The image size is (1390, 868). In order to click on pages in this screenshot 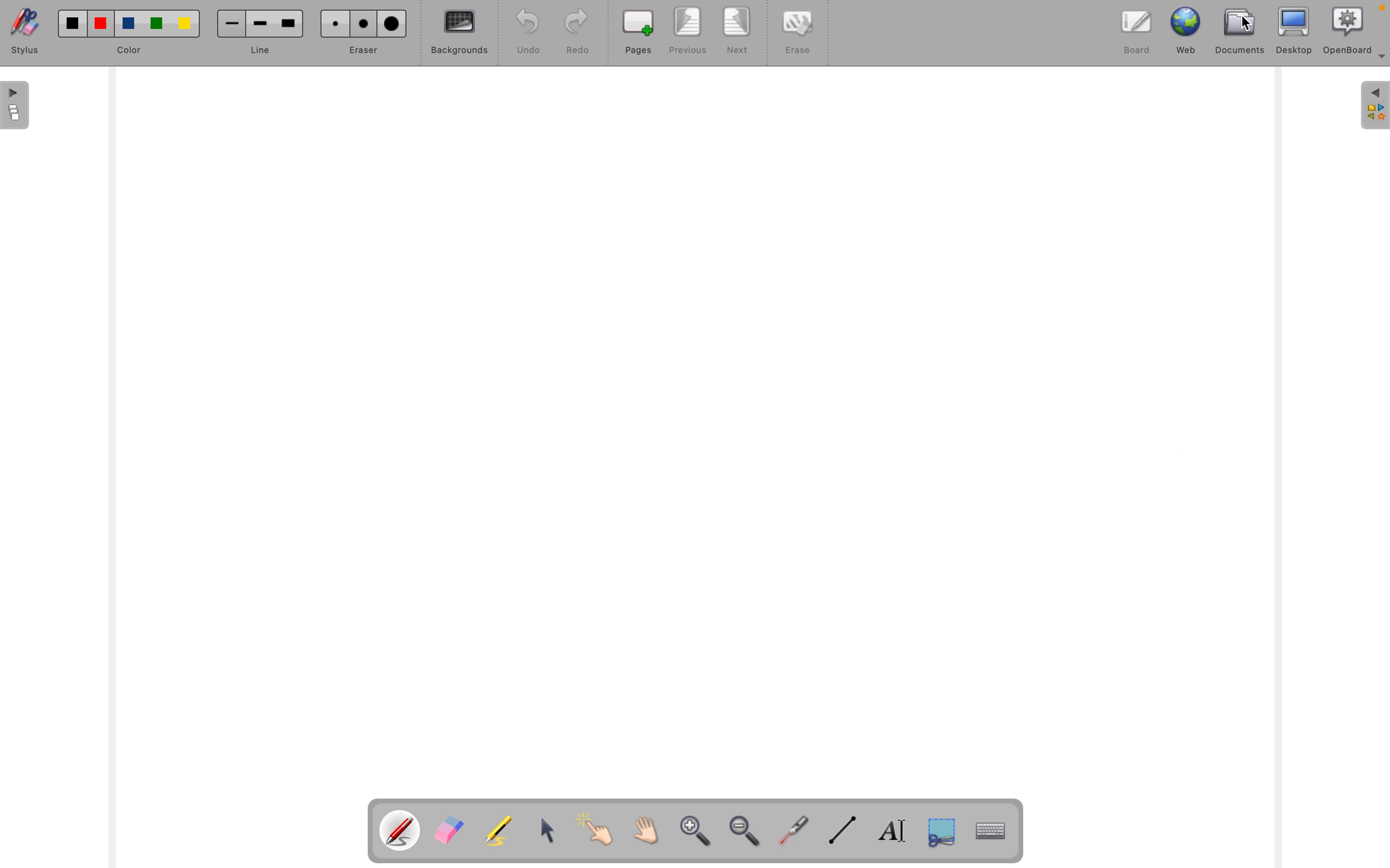, I will do `click(17, 107)`.